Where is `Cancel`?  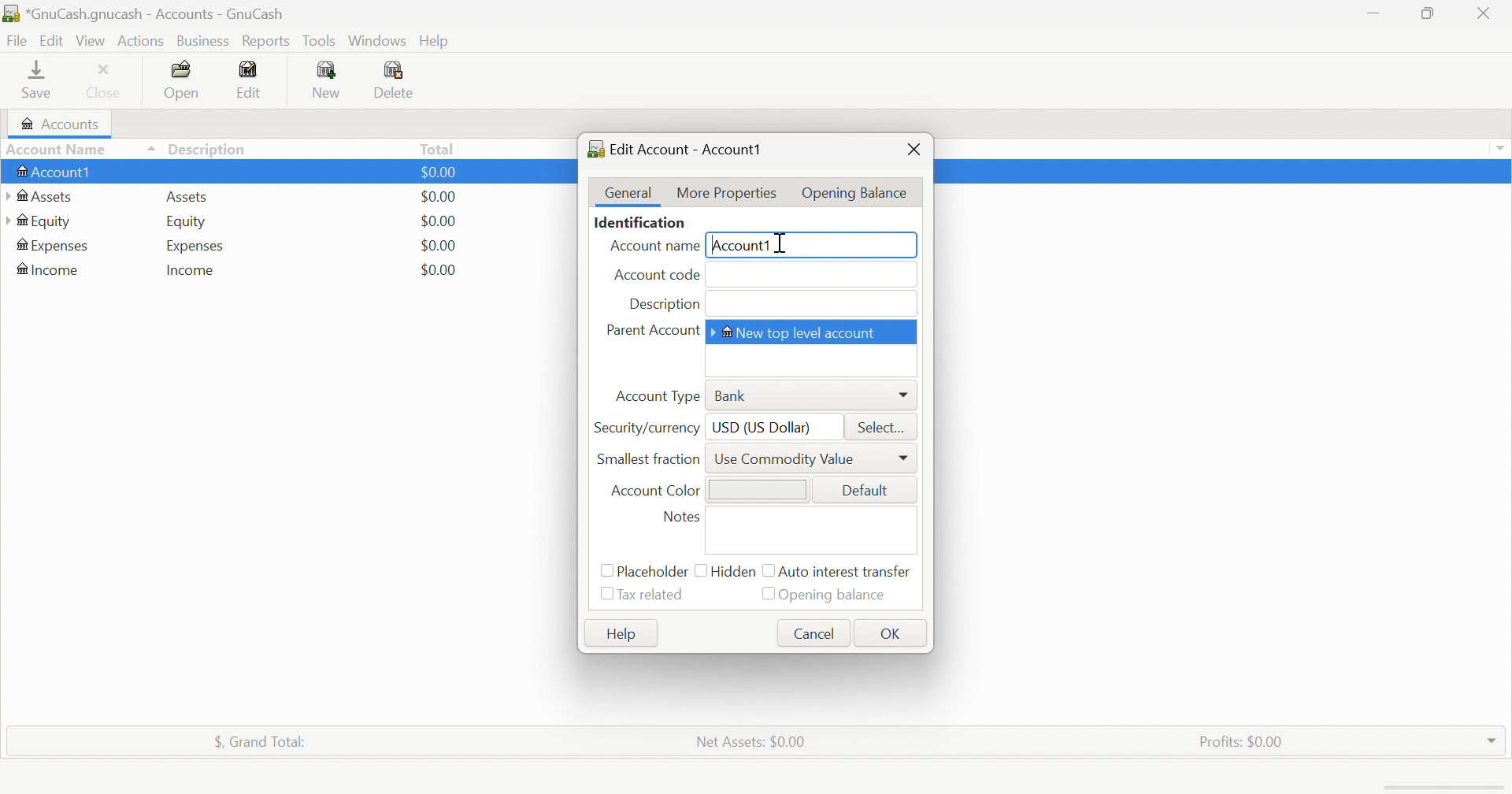
Cancel is located at coordinates (816, 633).